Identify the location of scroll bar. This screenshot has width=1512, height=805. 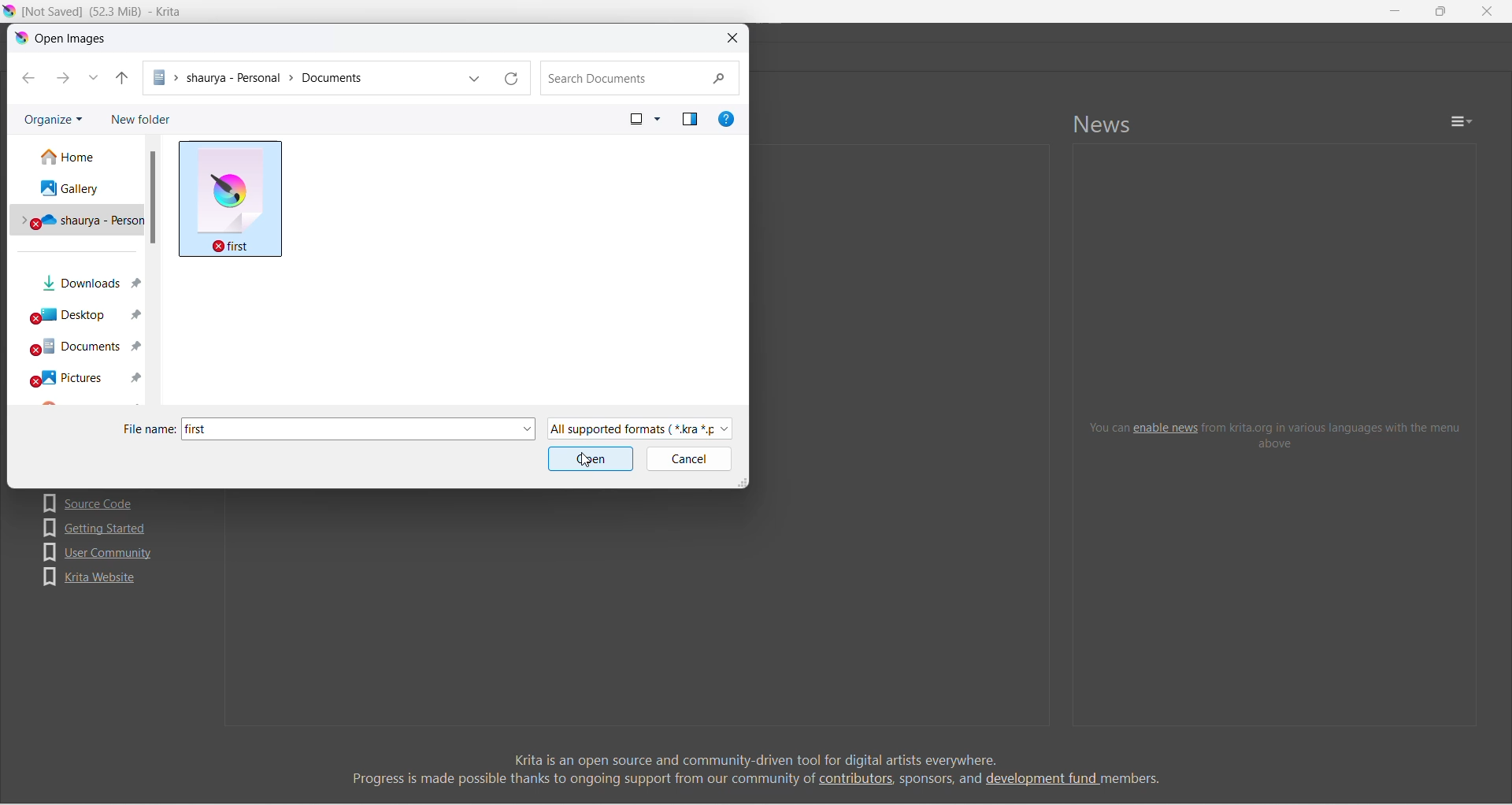
(152, 198).